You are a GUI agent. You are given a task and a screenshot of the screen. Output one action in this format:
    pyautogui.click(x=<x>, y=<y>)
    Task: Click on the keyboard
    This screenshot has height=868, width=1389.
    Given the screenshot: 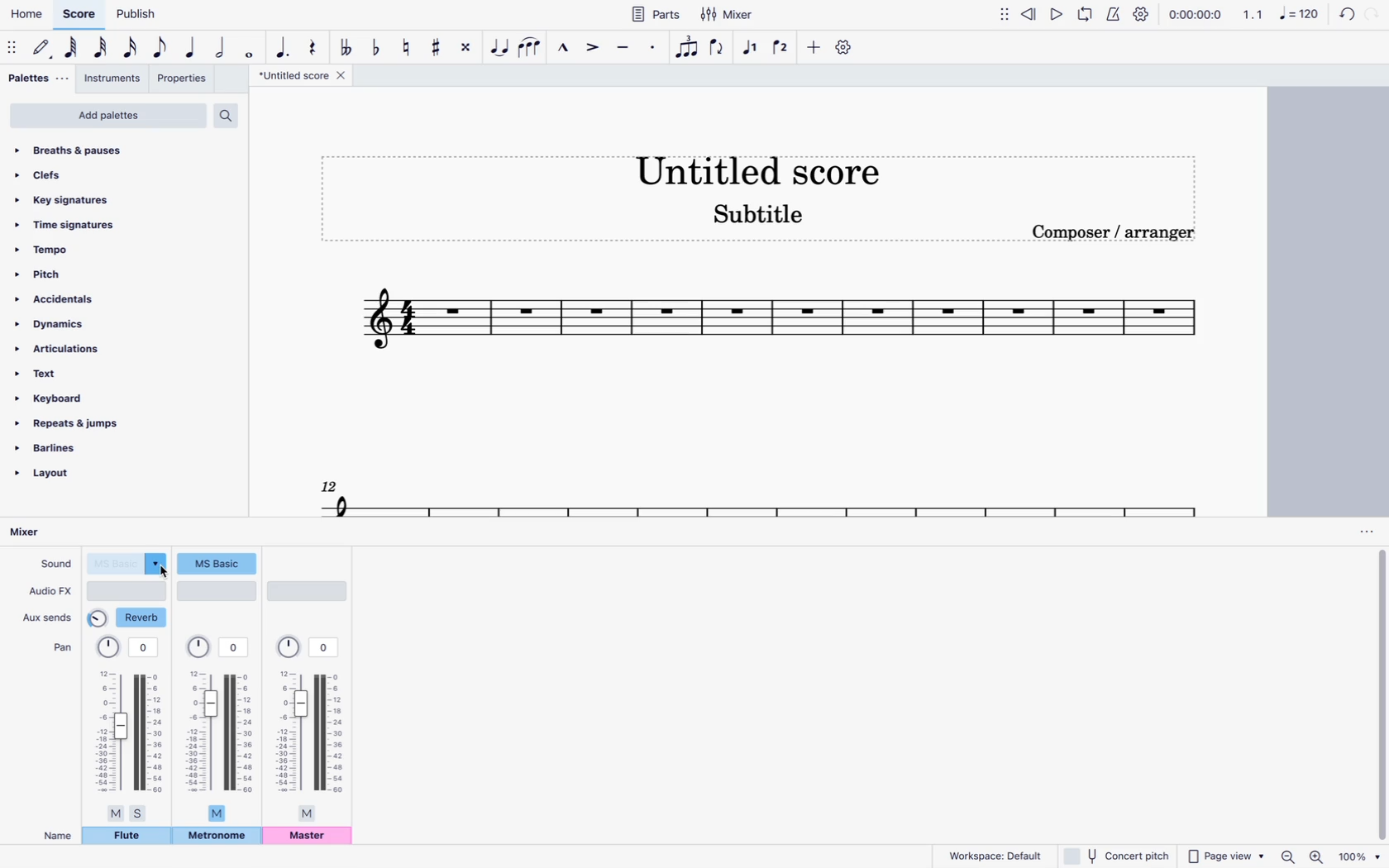 What is the action you would take?
    pyautogui.click(x=58, y=398)
    